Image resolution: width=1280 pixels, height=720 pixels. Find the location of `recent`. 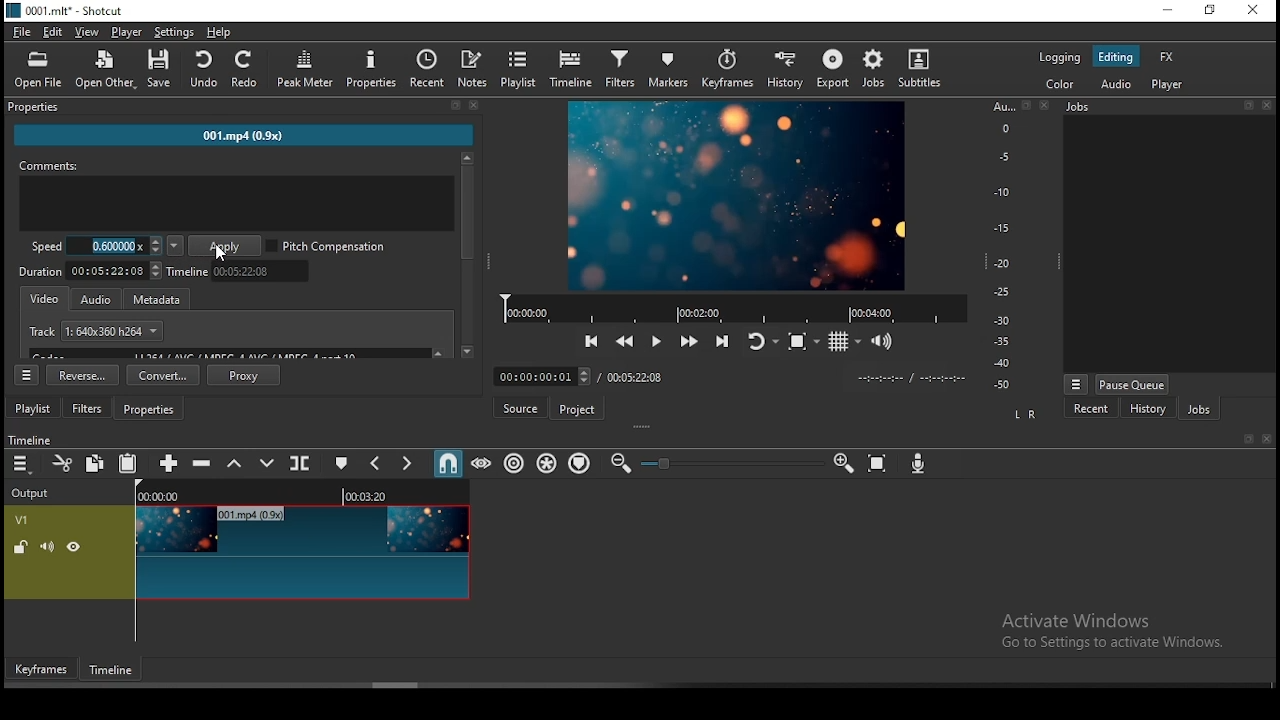

recent is located at coordinates (1094, 408).